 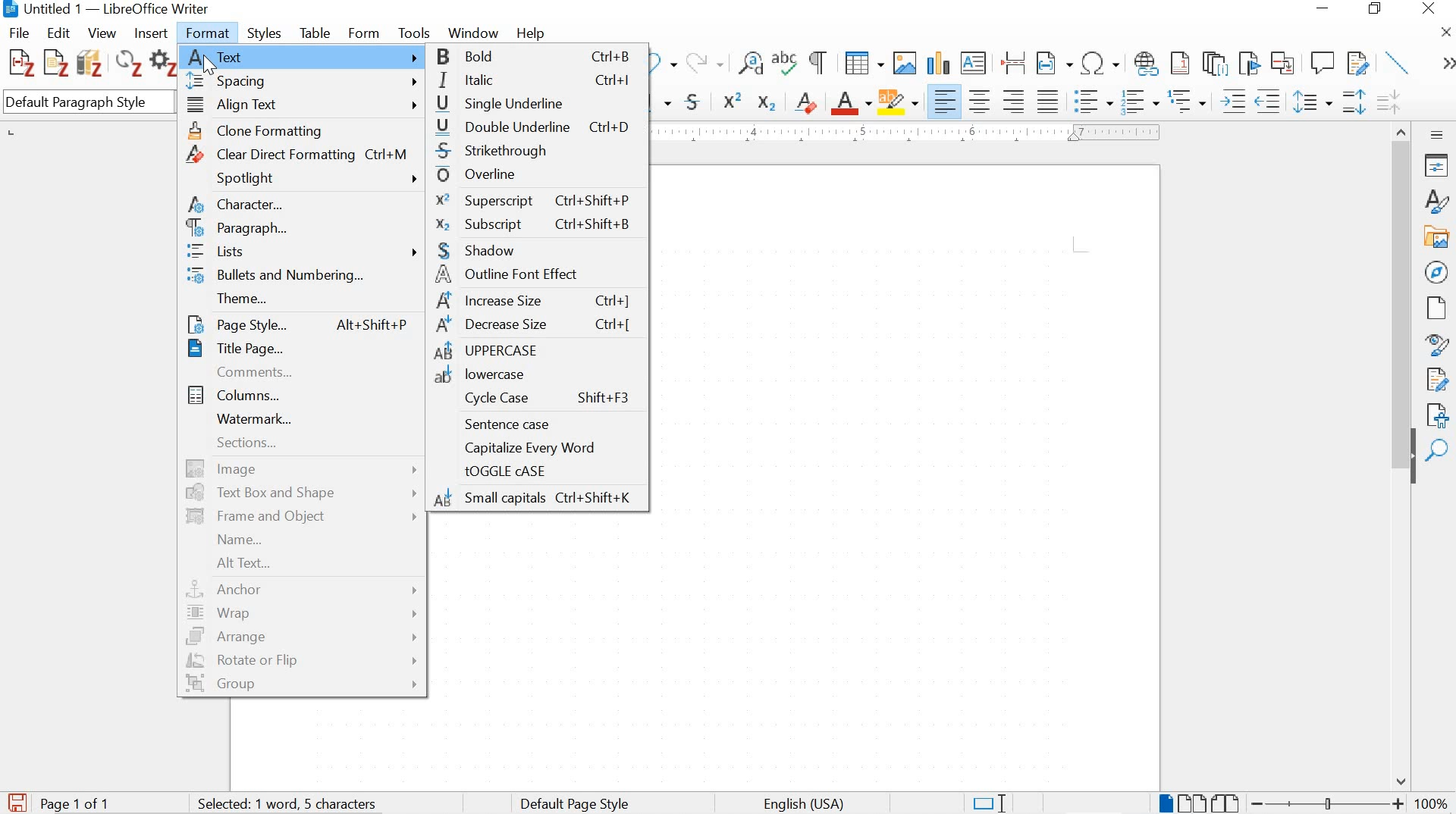 I want to click on lowercase, so click(x=537, y=375).